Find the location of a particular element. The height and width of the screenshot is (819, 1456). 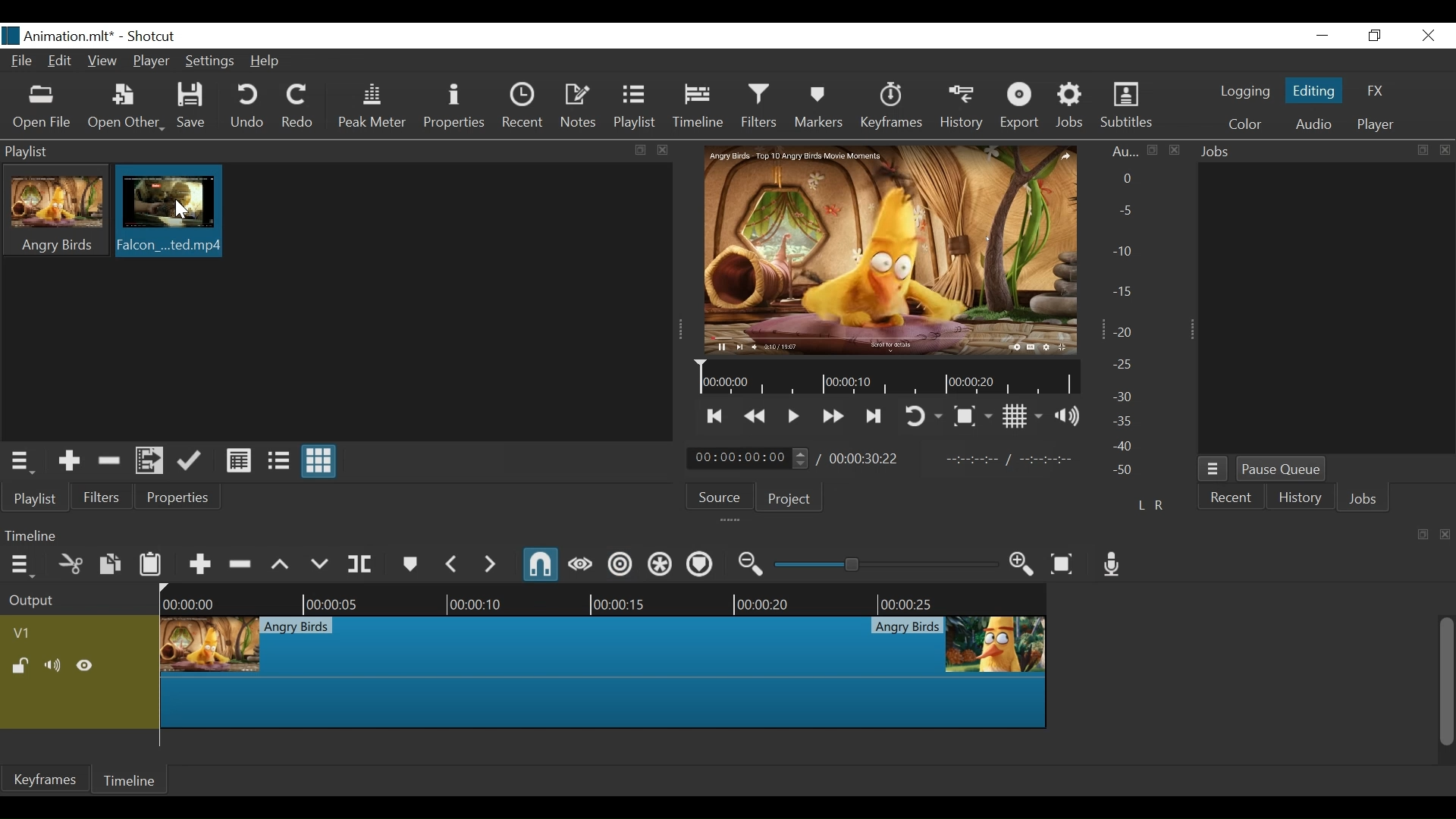

Markers is located at coordinates (820, 107).